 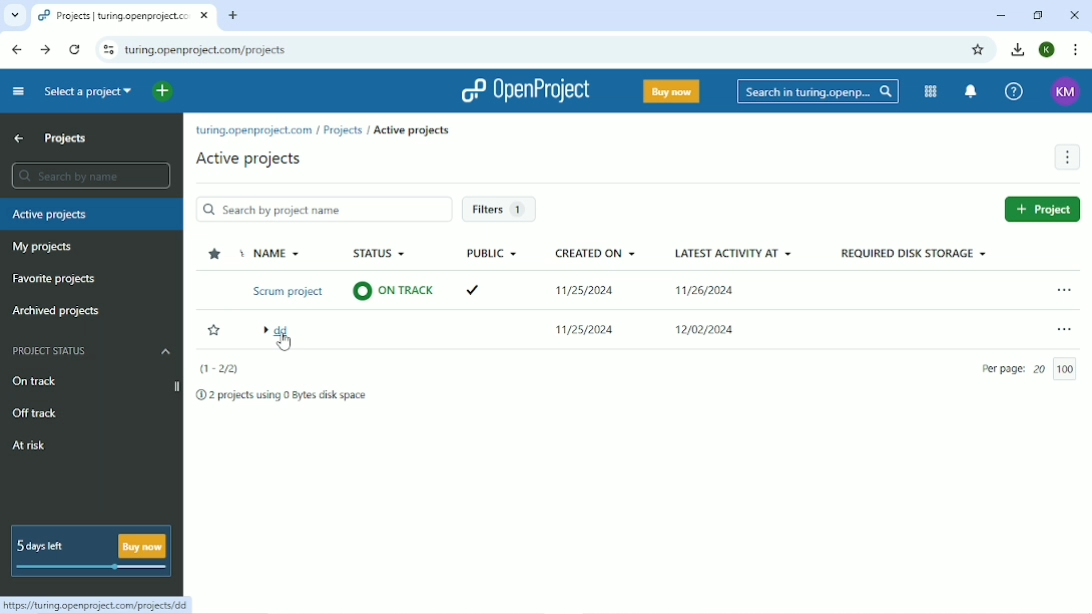 What do you see at coordinates (165, 91) in the screenshot?
I see `Open quick add menu` at bounding box center [165, 91].